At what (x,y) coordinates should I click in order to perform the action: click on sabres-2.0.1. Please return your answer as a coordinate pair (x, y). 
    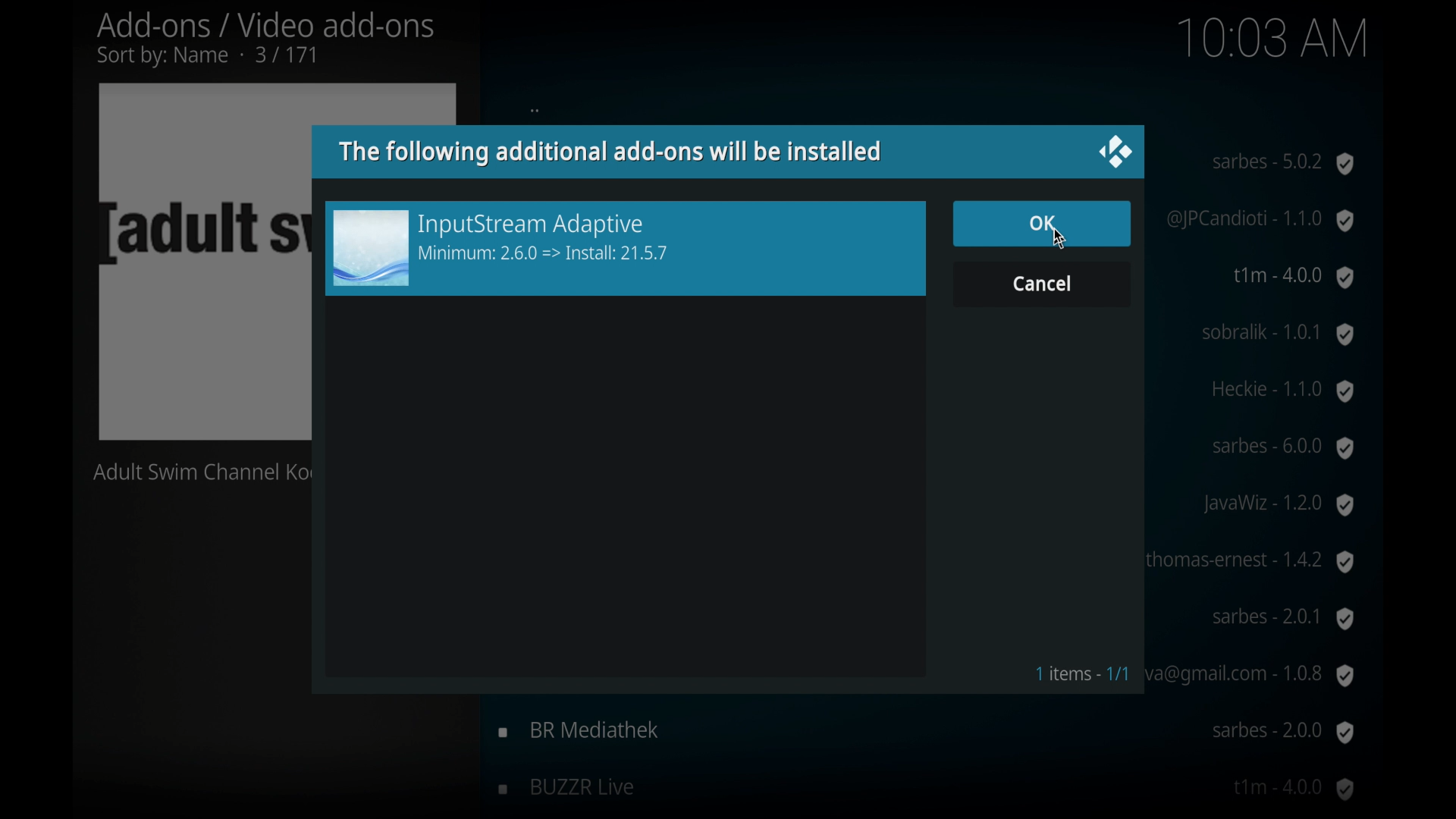
    Looking at the image, I should click on (1274, 617).